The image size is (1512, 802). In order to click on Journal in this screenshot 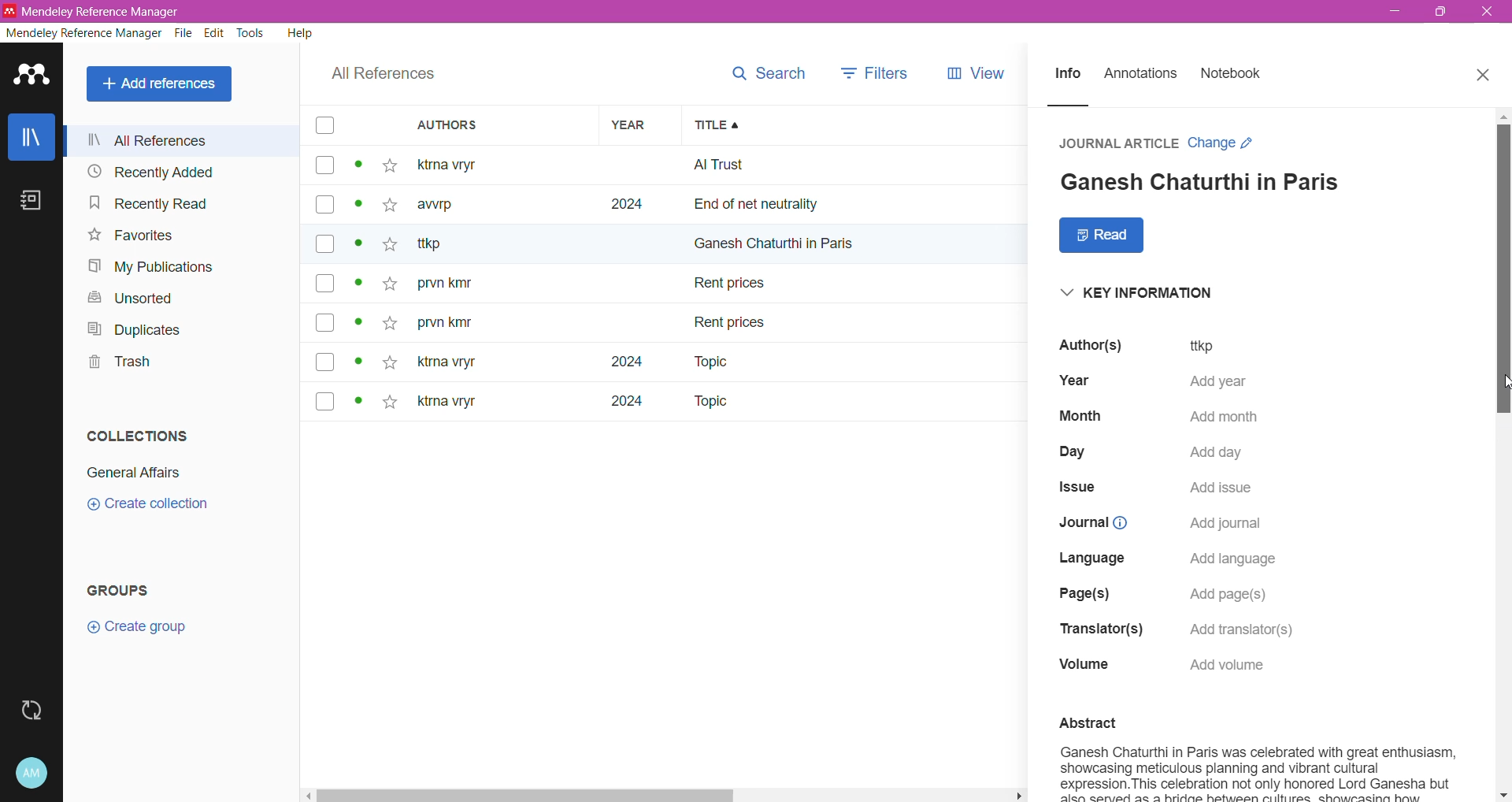, I will do `click(1087, 524)`.